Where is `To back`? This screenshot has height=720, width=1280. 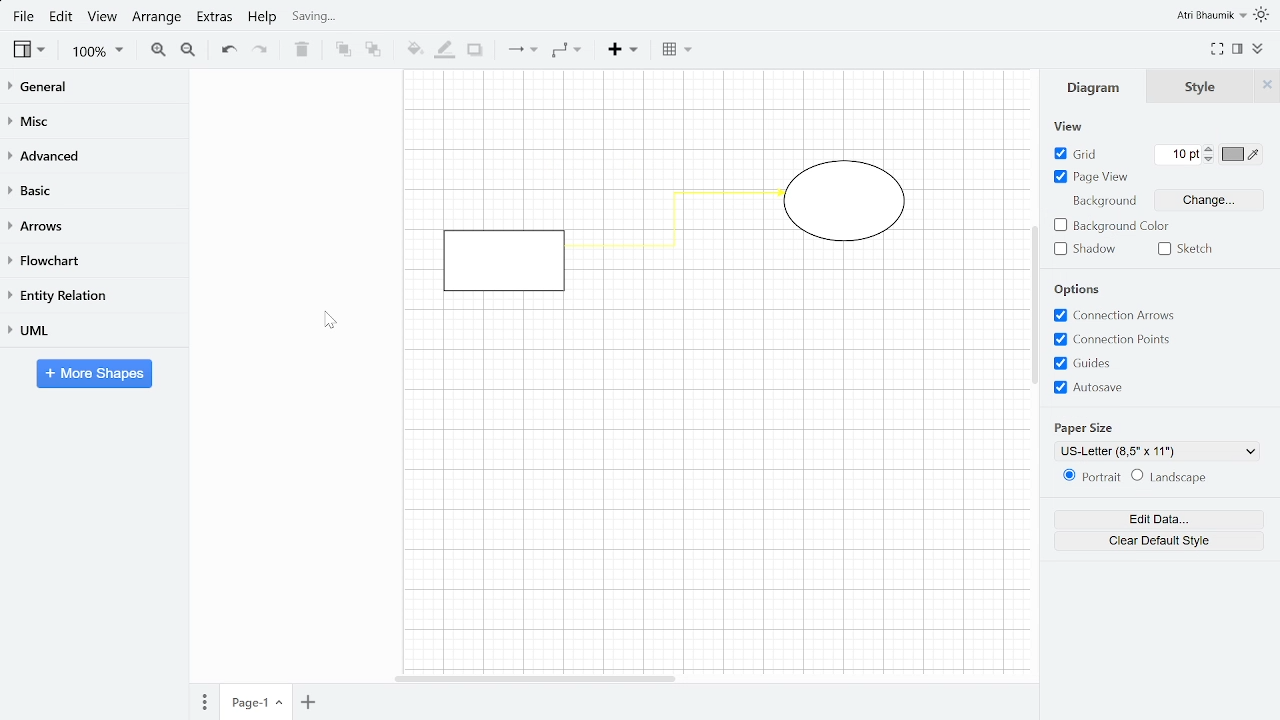 To back is located at coordinates (373, 50).